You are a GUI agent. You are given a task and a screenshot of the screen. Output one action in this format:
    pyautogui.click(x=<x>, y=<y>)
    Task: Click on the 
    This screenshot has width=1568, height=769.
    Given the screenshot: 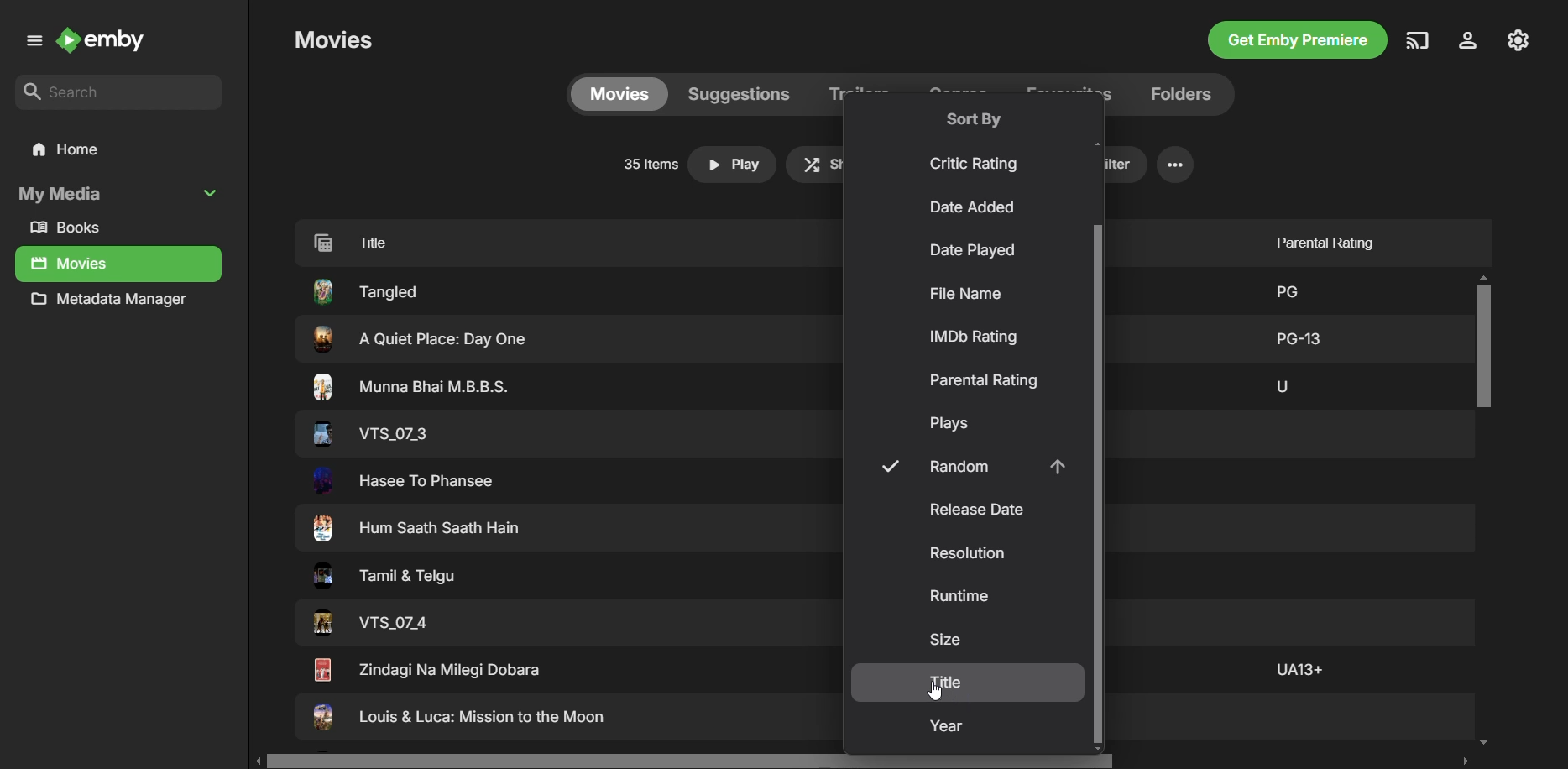 What is the action you would take?
    pyautogui.click(x=64, y=193)
    